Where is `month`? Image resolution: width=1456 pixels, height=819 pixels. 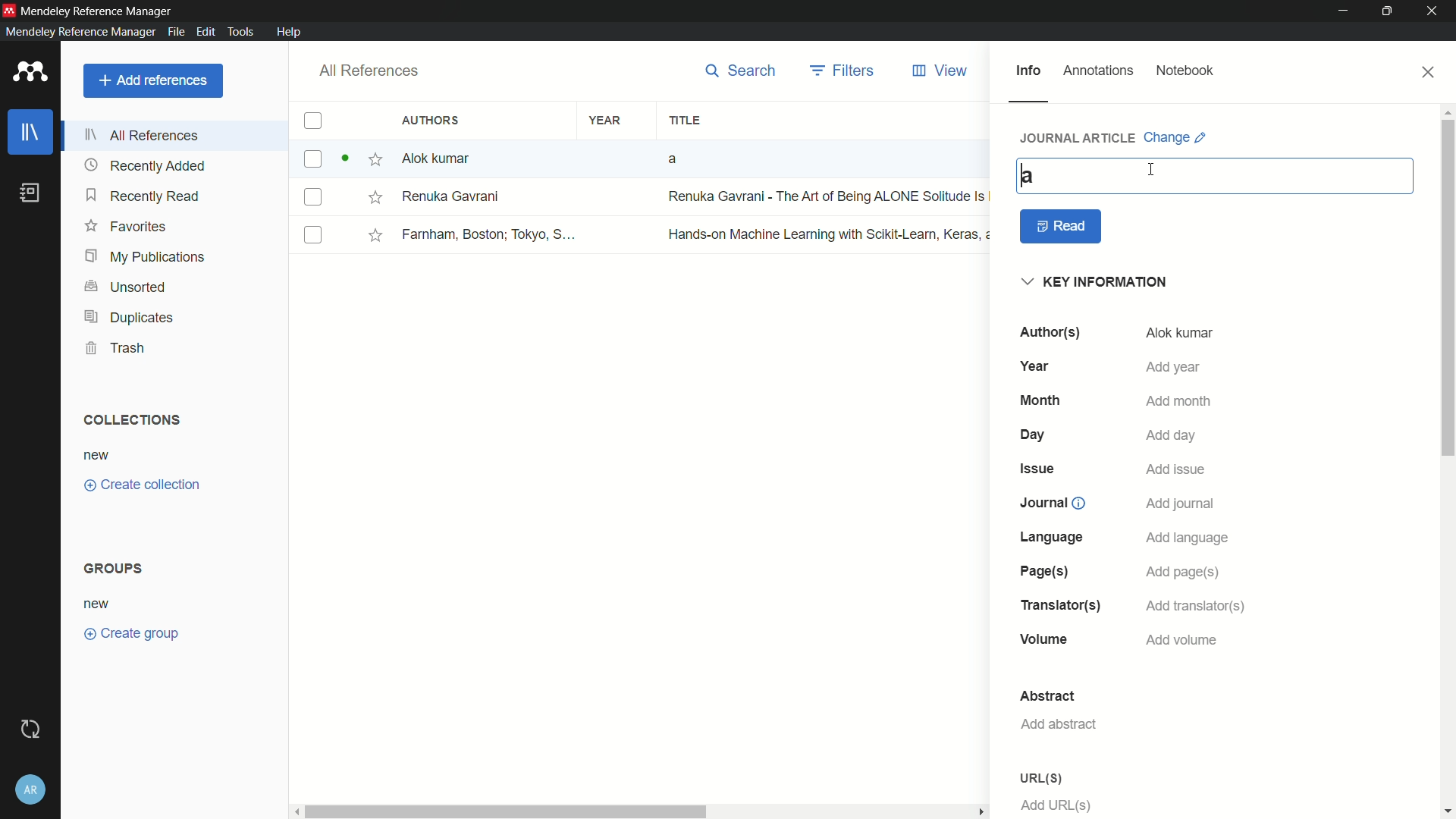
month is located at coordinates (1040, 400).